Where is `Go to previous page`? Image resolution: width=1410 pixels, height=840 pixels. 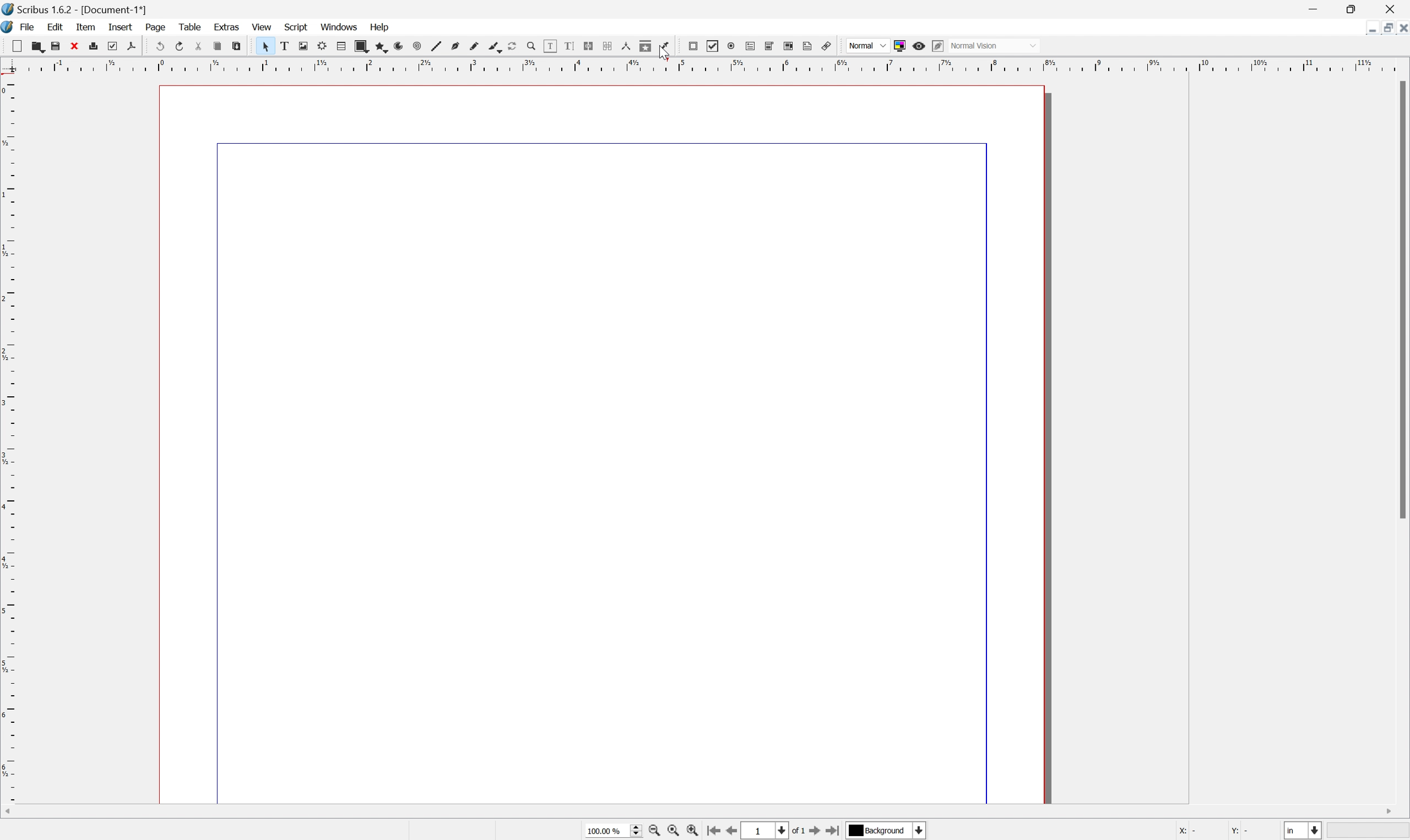
Go to previous page is located at coordinates (732, 832).